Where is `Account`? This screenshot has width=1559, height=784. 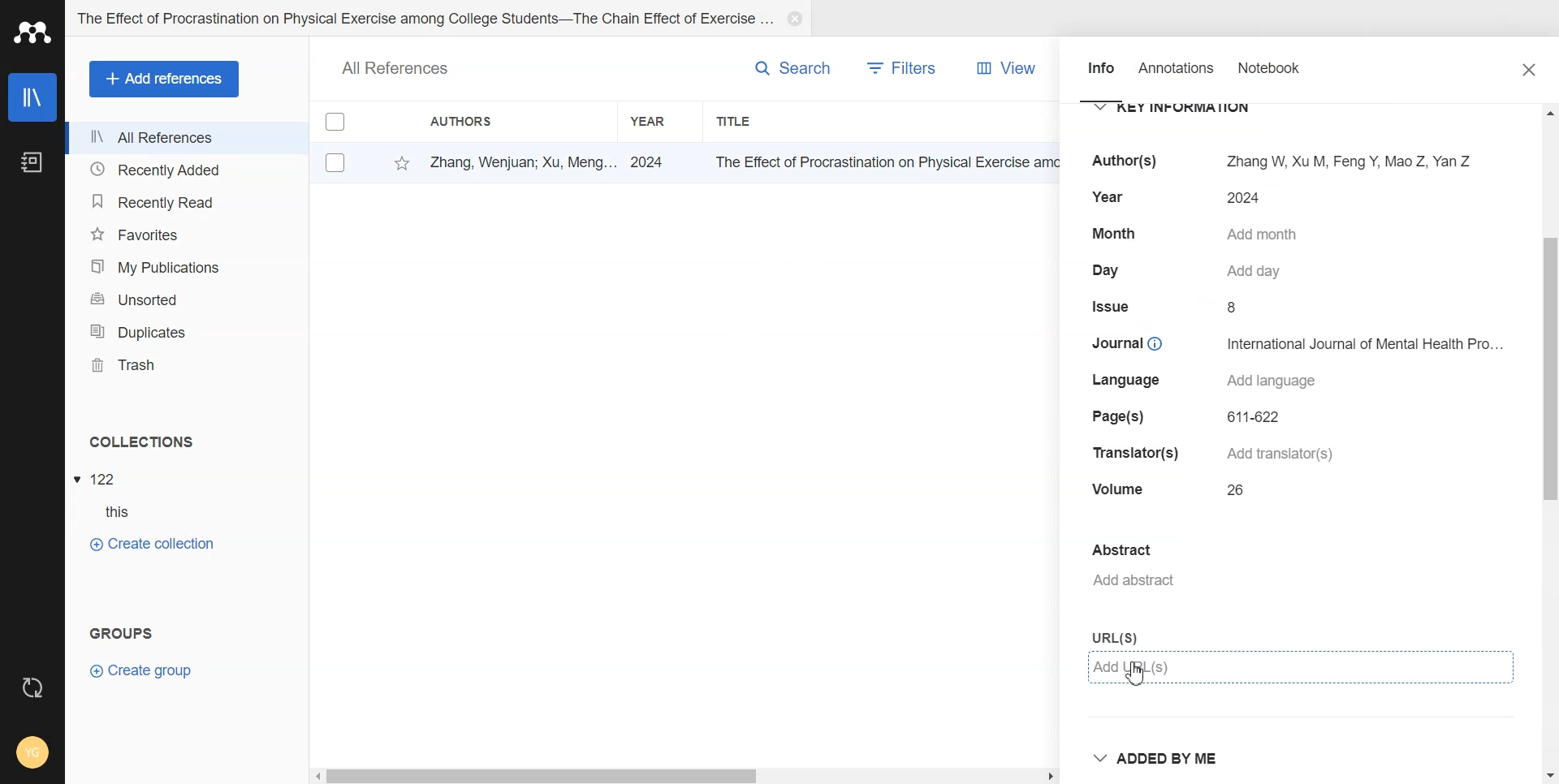 Account is located at coordinates (32, 752).